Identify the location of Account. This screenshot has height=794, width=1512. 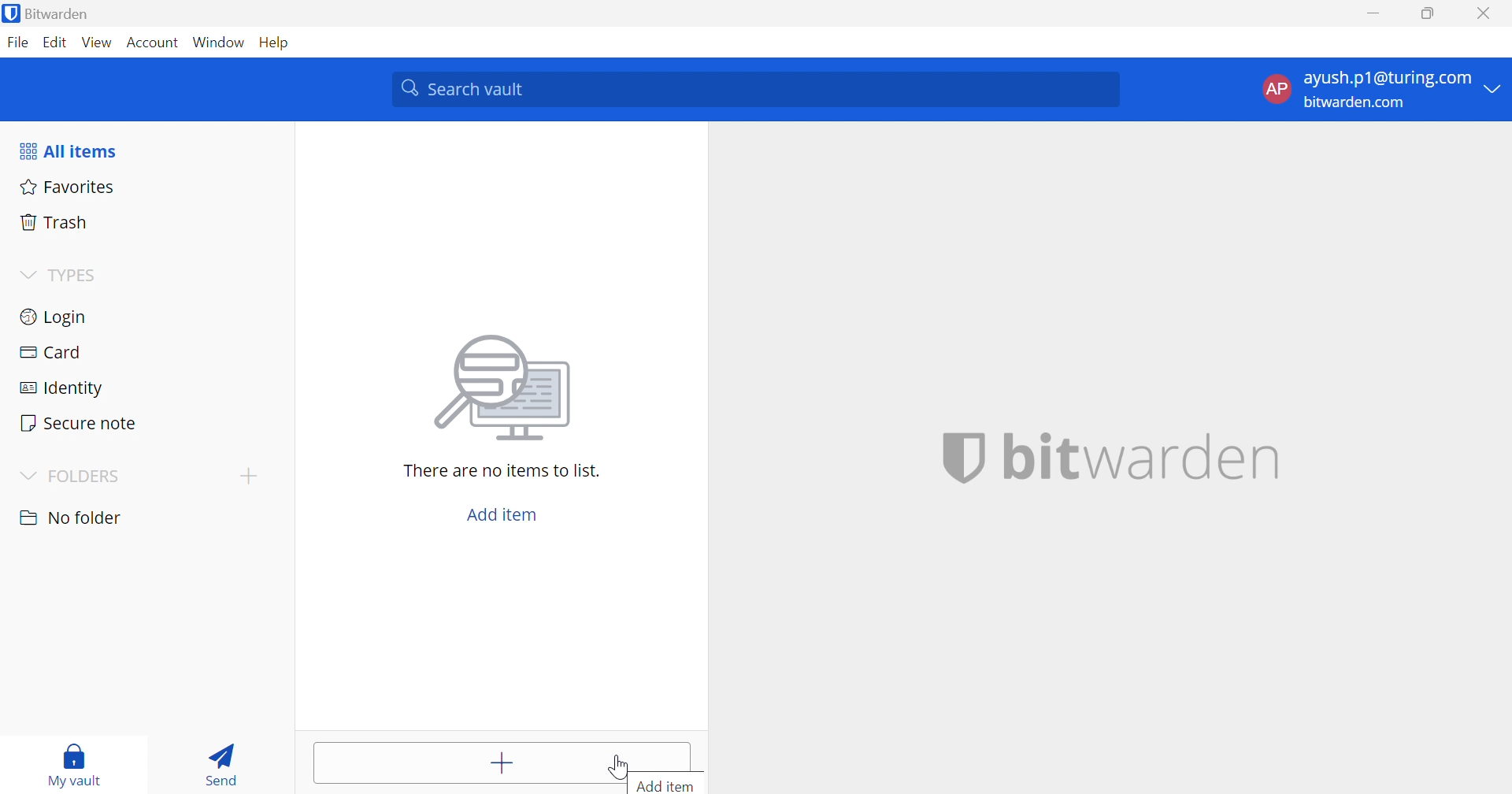
(154, 46).